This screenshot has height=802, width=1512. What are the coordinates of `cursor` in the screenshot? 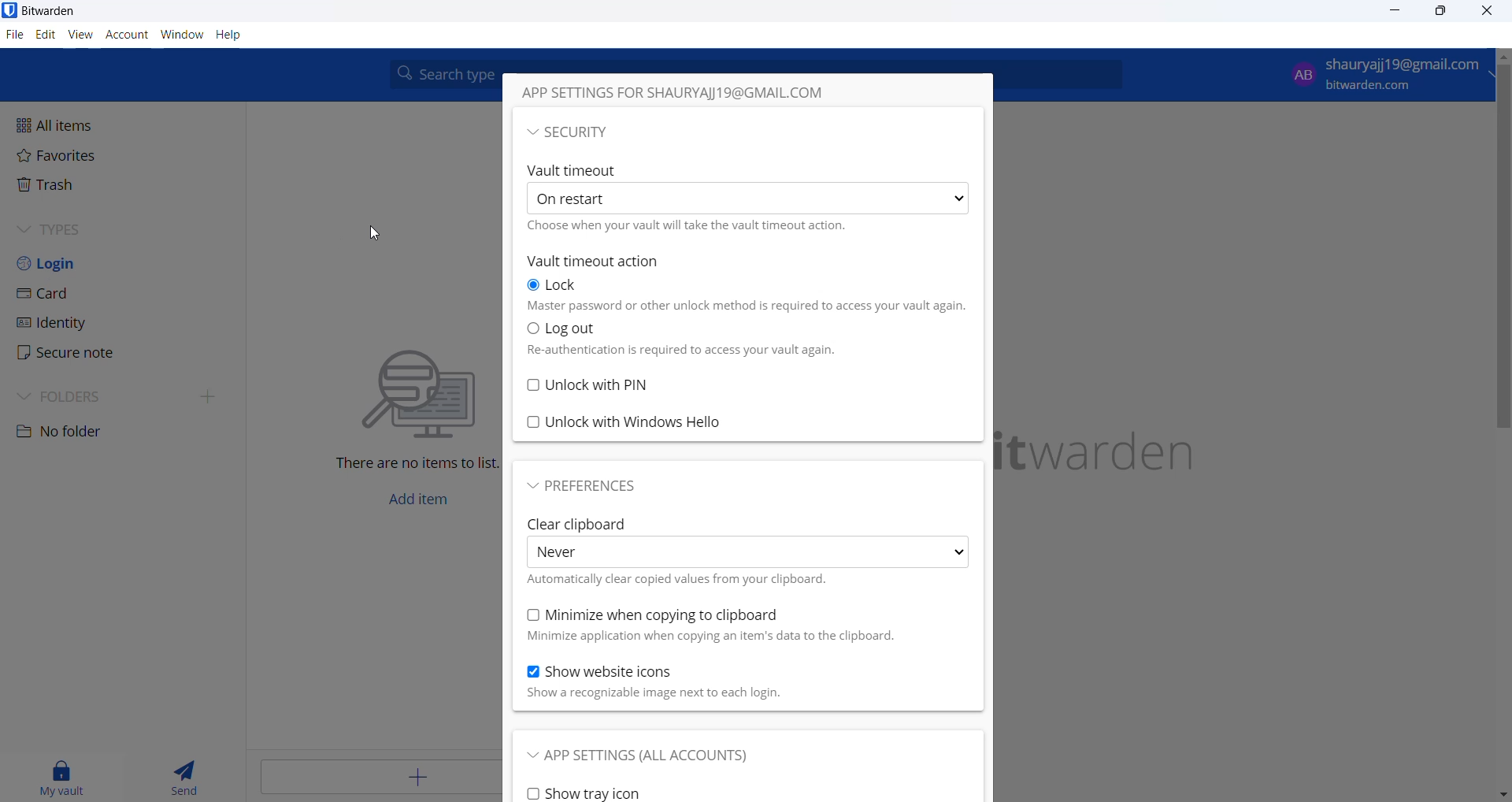 It's located at (382, 237).